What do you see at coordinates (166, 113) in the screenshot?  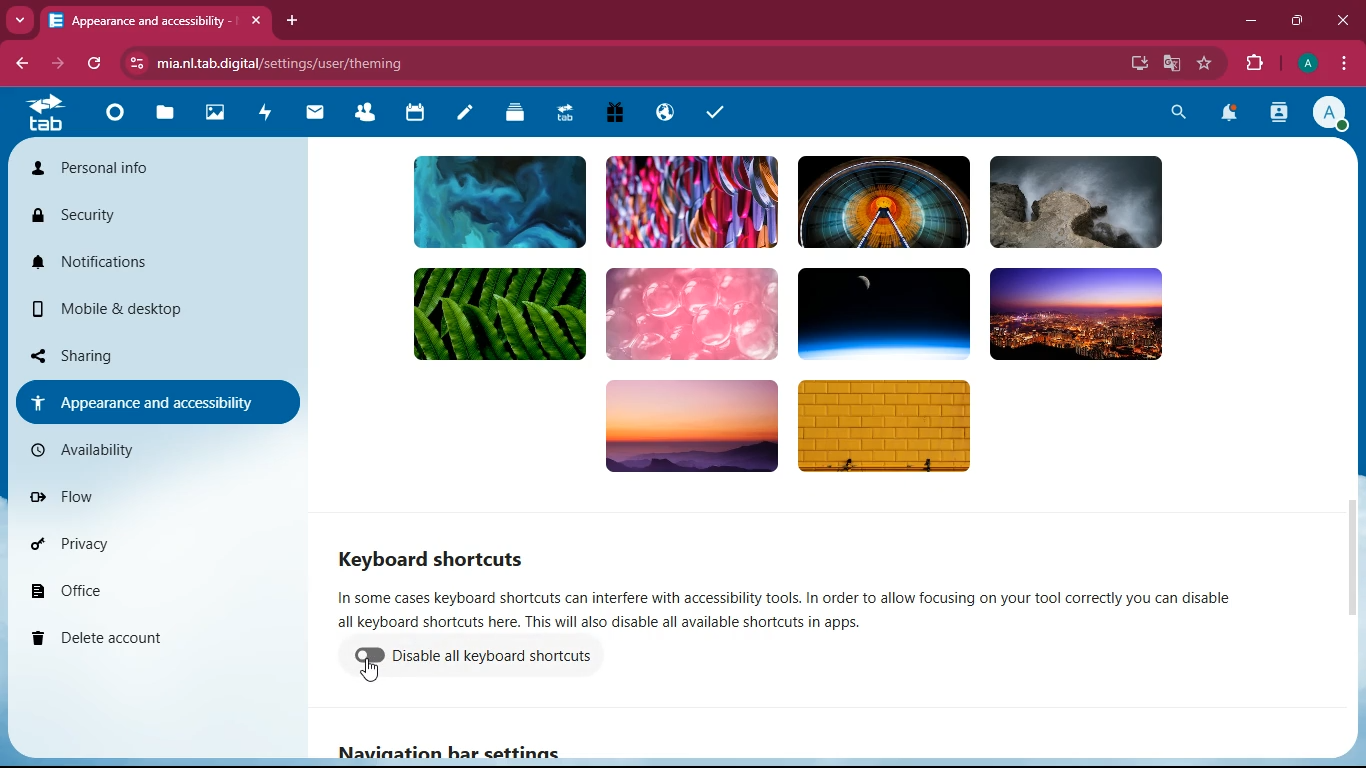 I see `files` at bounding box center [166, 113].